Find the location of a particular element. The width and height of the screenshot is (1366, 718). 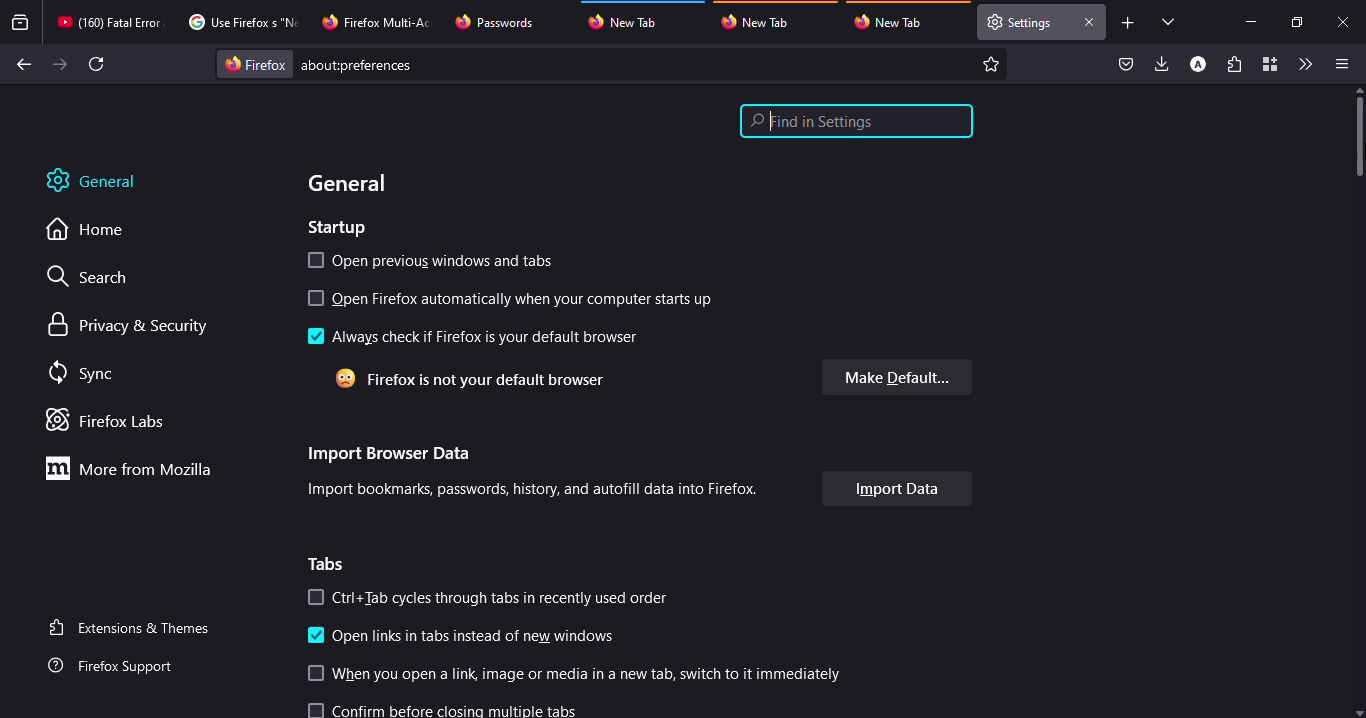

tab is located at coordinates (761, 21).